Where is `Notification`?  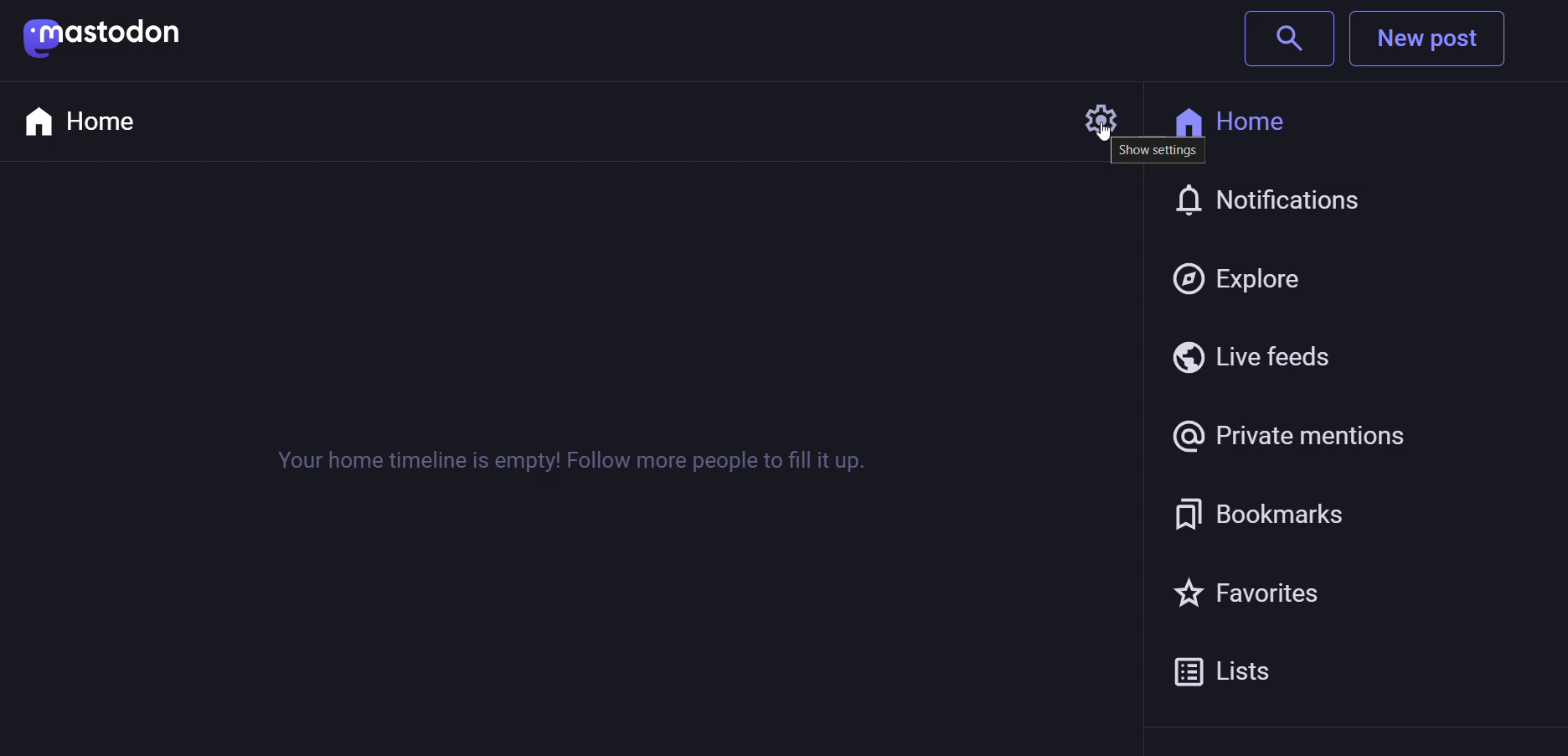
Notification is located at coordinates (1265, 199).